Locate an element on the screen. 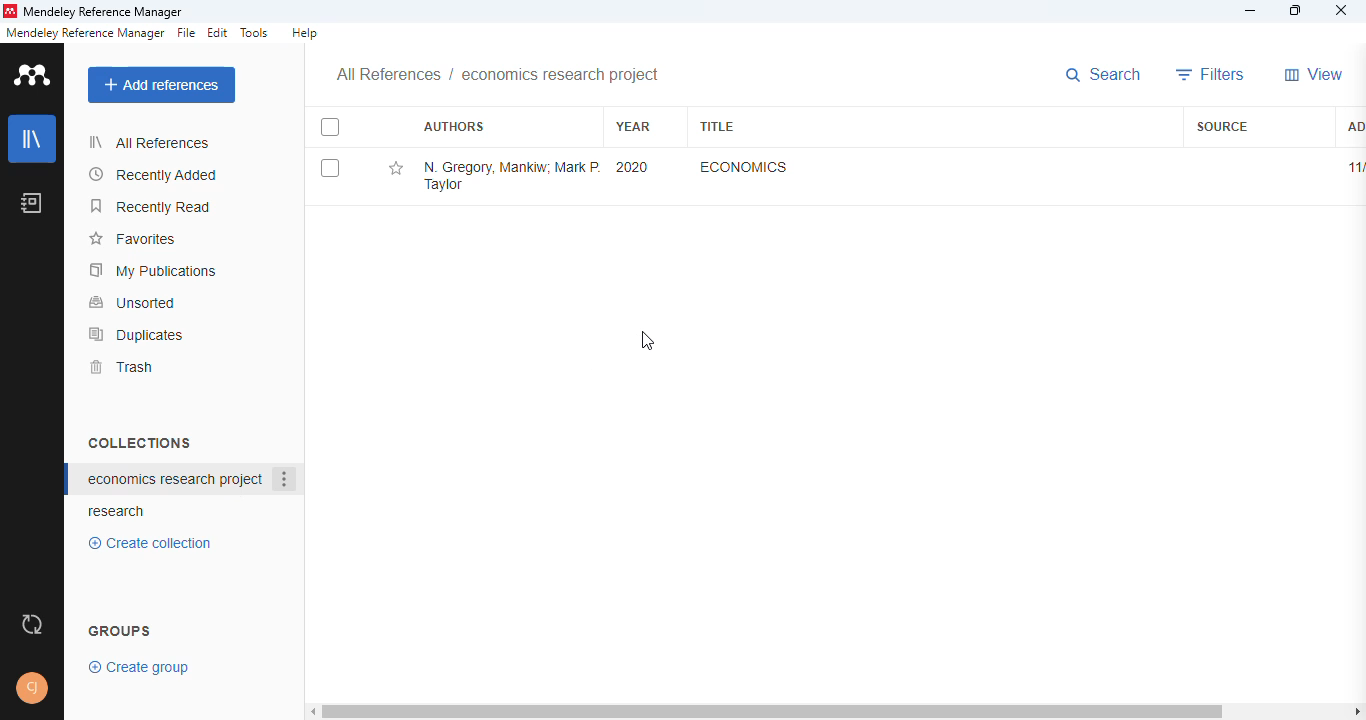  minimize is located at coordinates (1252, 11).